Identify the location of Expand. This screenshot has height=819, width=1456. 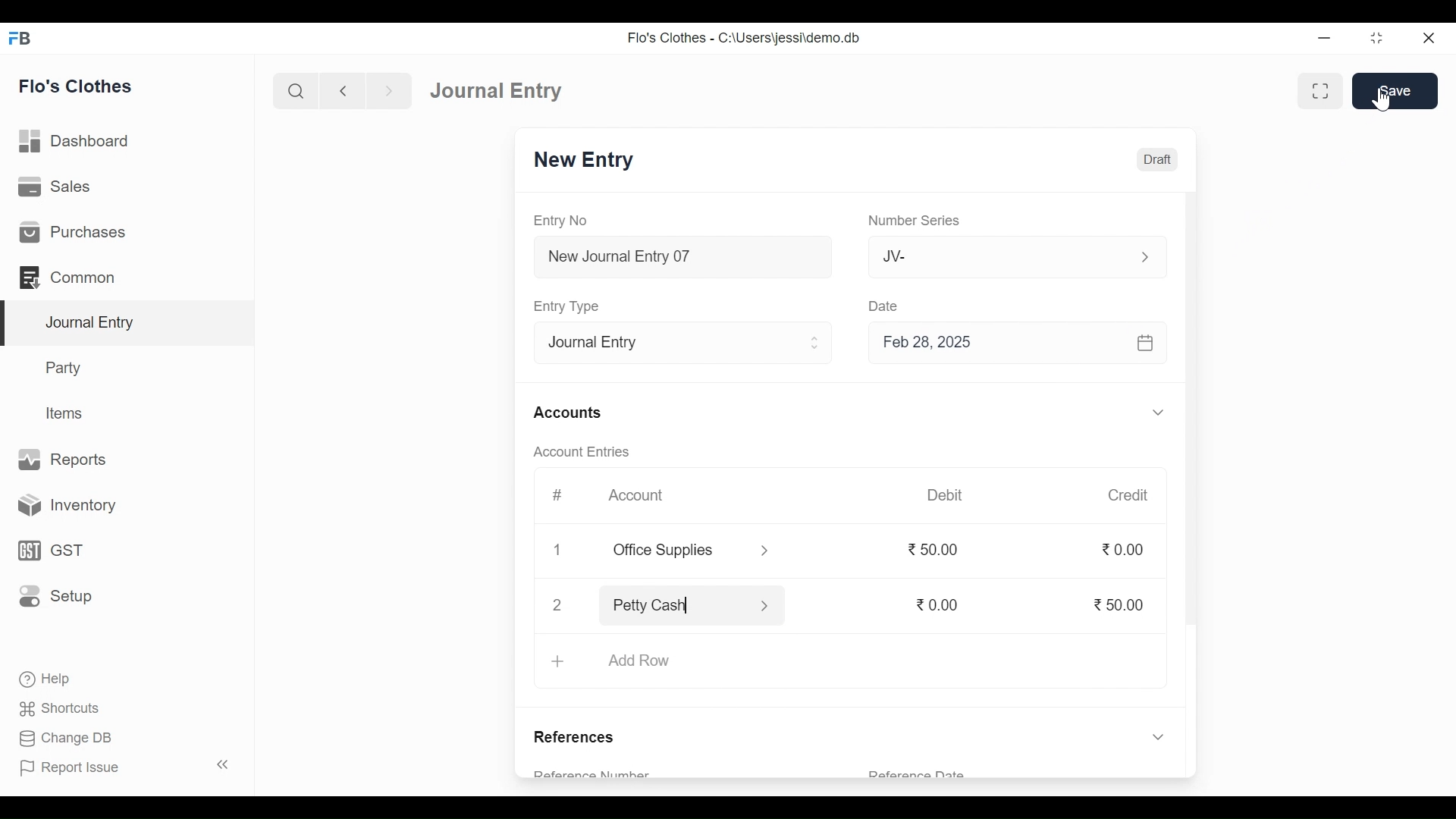
(765, 552).